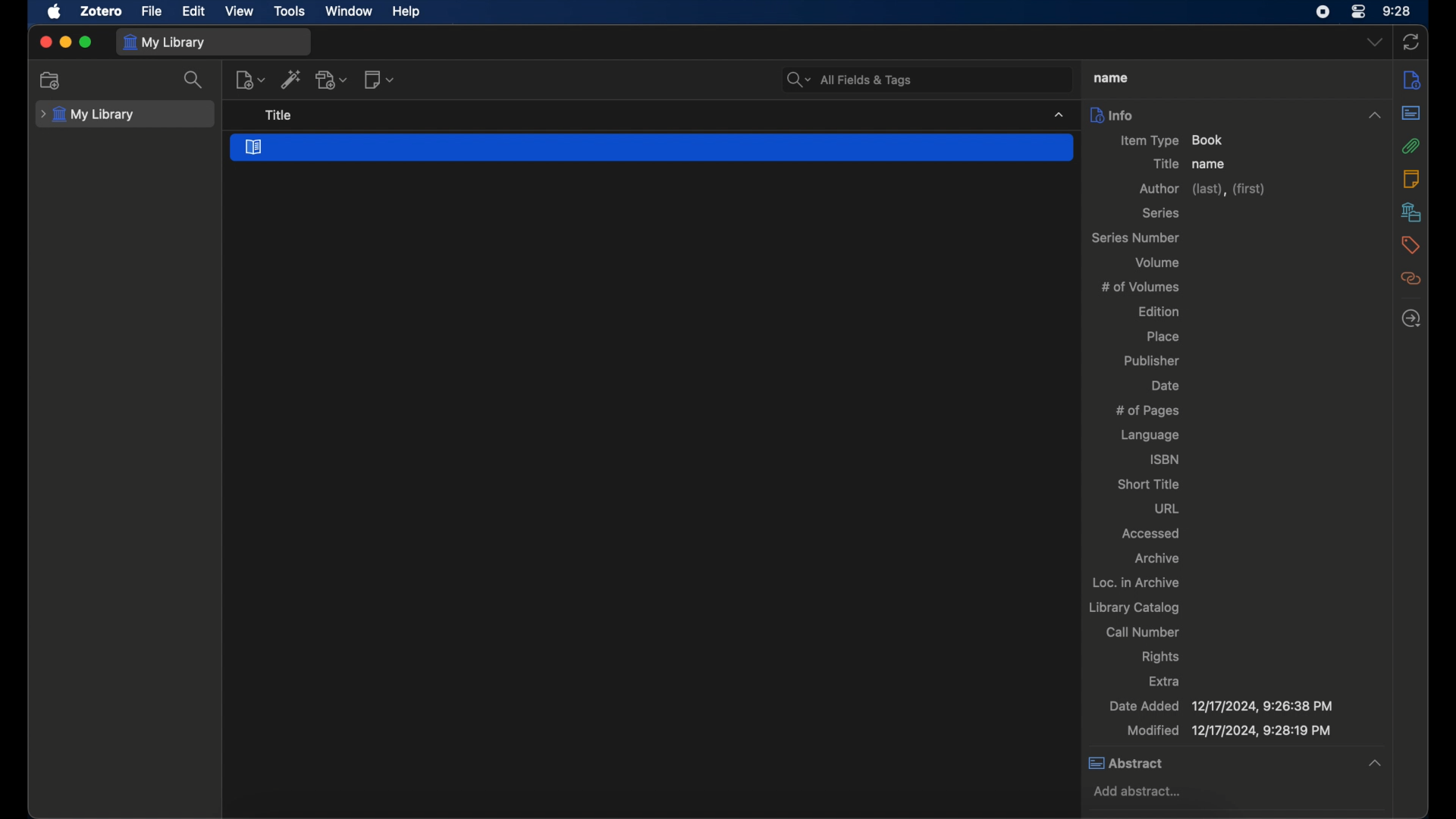 The width and height of the screenshot is (1456, 819). What do you see at coordinates (1412, 178) in the screenshot?
I see `notes` at bounding box center [1412, 178].